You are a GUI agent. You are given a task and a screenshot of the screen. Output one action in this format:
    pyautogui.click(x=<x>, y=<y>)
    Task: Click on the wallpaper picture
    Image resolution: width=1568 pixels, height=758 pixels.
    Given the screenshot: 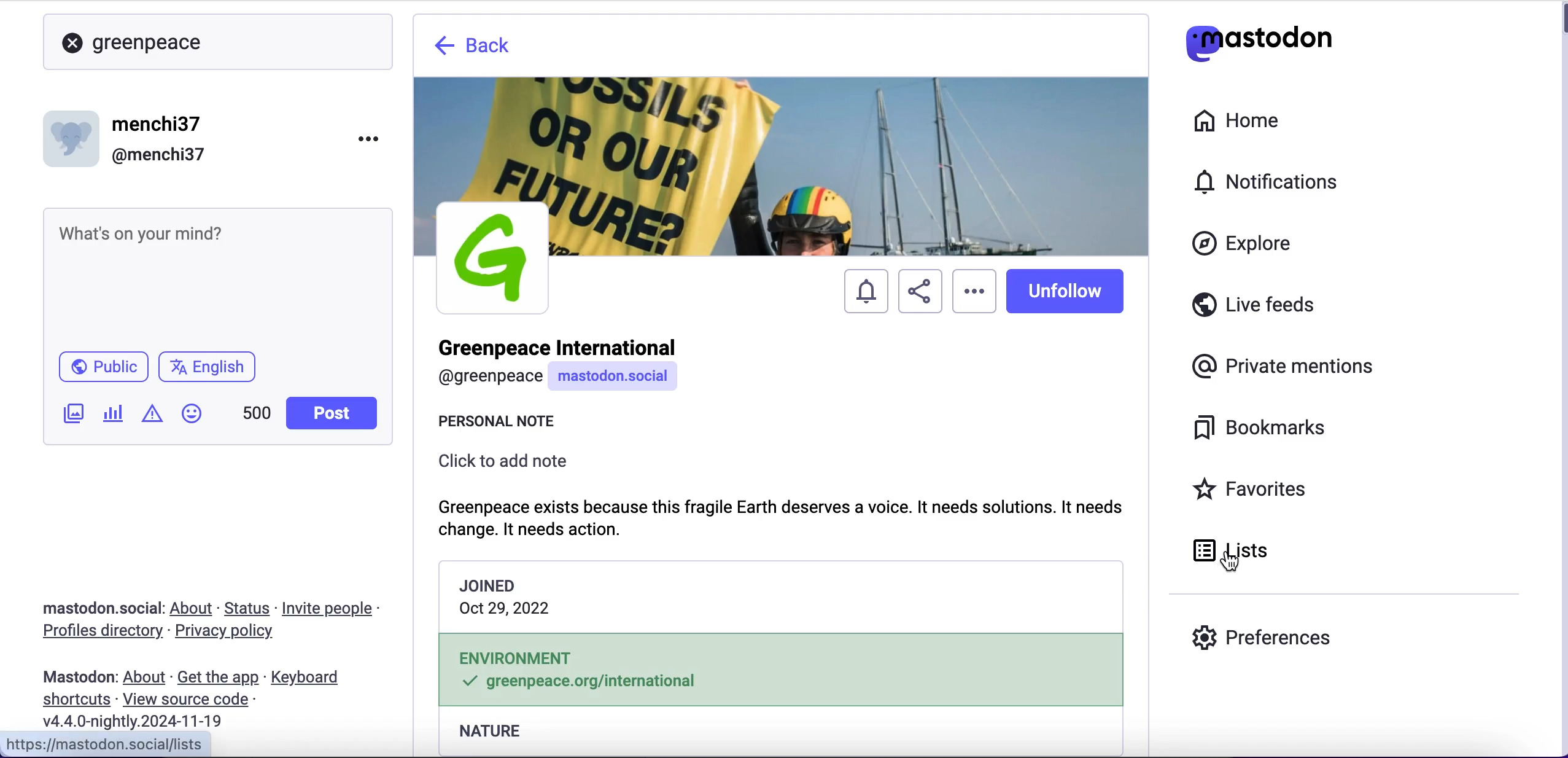 What is the action you would take?
    pyautogui.click(x=782, y=138)
    